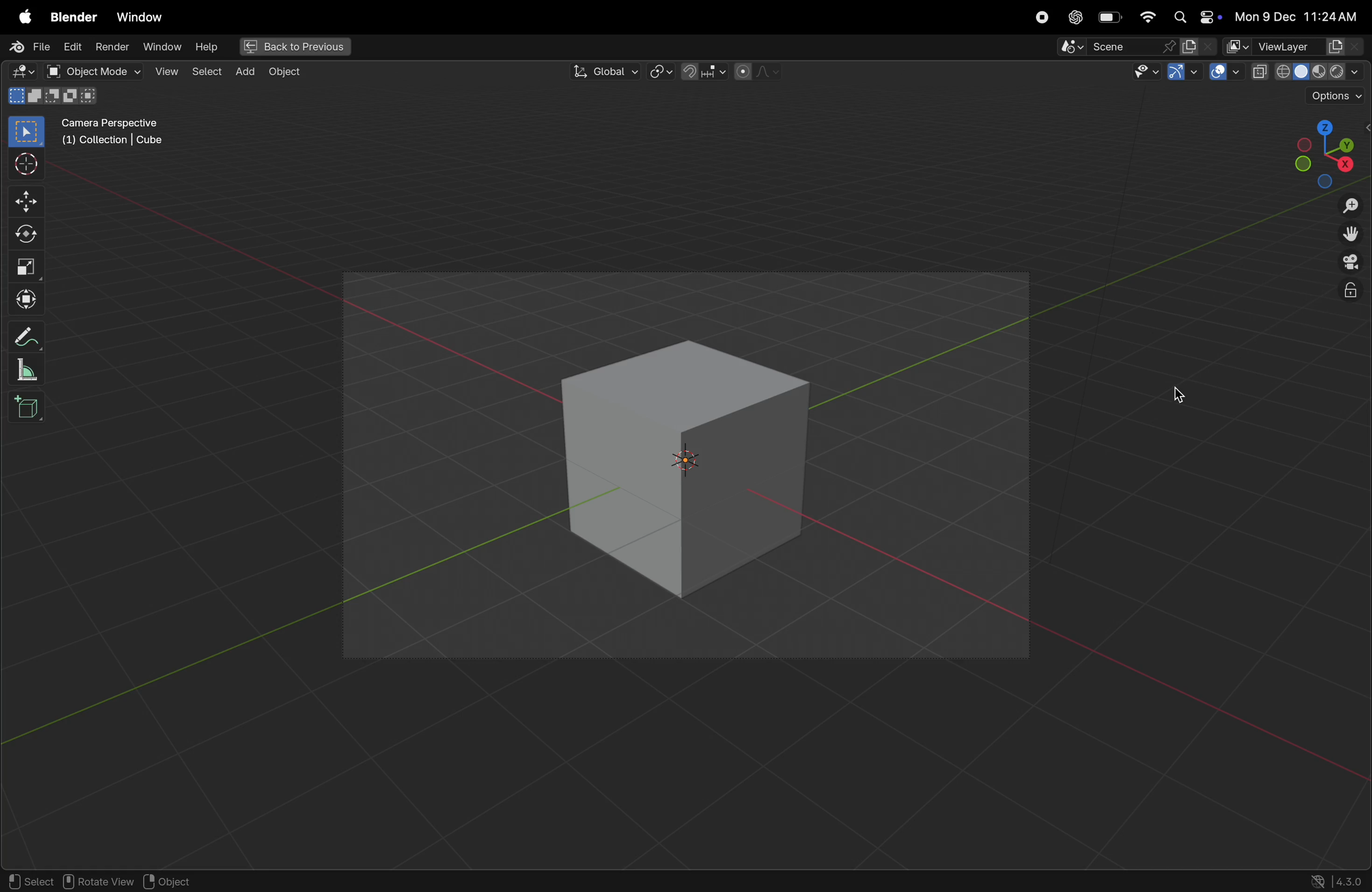 The height and width of the screenshot is (892, 1372). What do you see at coordinates (1183, 393) in the screenshot?
I see `cursor` at bounding box center [1183, 393].